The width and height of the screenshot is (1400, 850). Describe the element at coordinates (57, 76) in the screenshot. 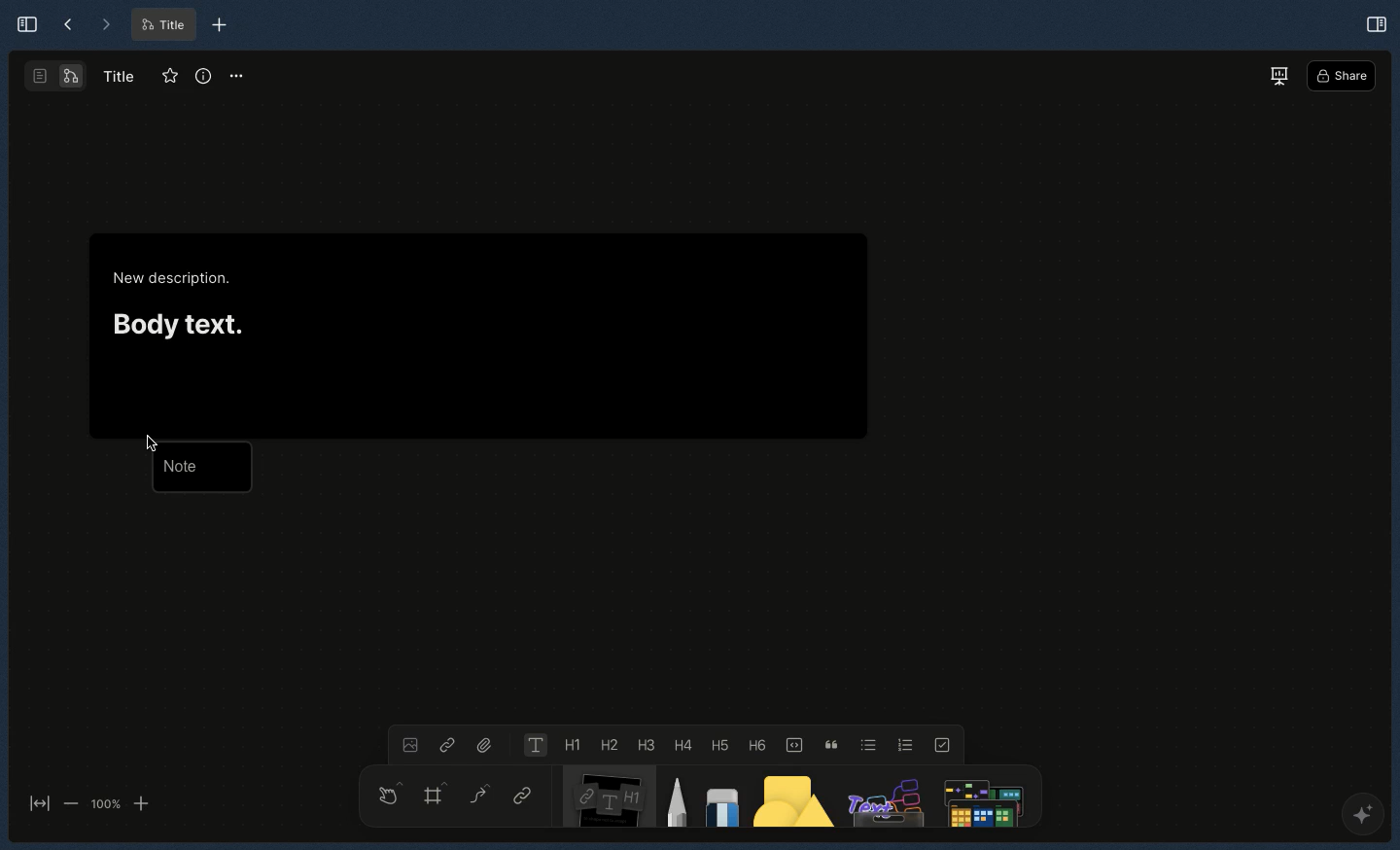

I see `Second layout` at that location.